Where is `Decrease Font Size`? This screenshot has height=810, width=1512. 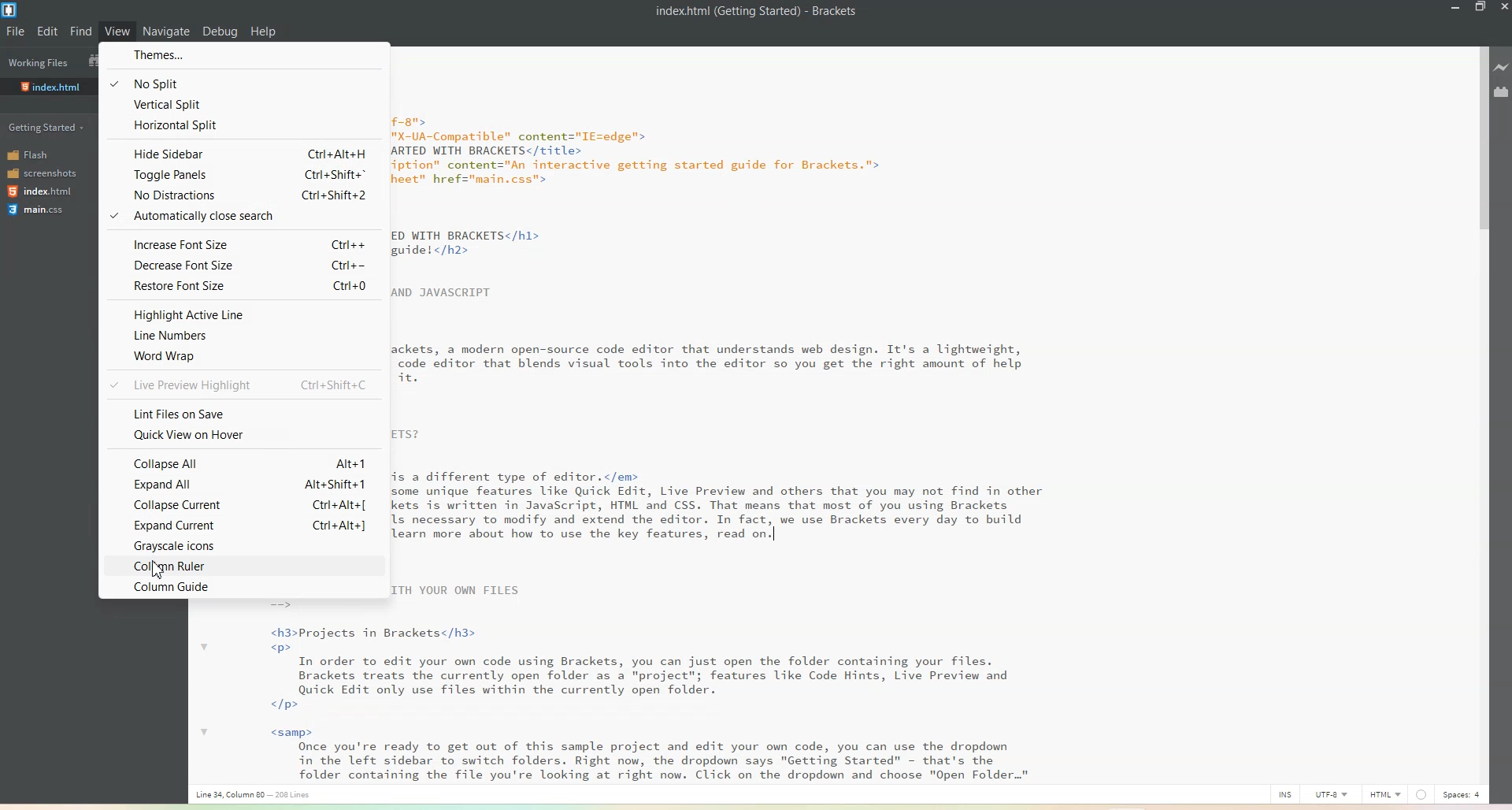
Decrease Font Size is located at coordinates (241, 265).